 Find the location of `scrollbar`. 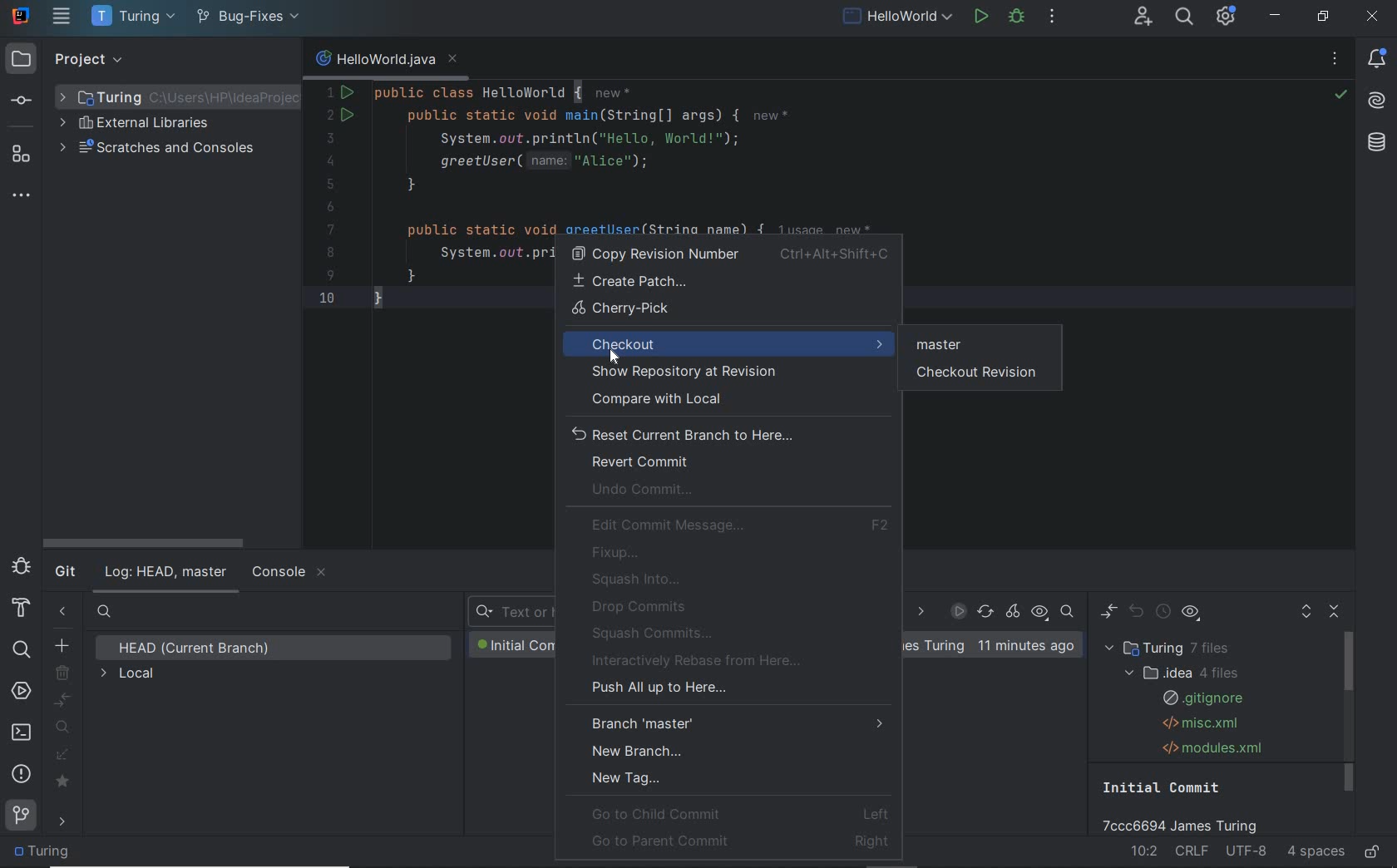

scrollbar is located at coordinates (1350, 713).